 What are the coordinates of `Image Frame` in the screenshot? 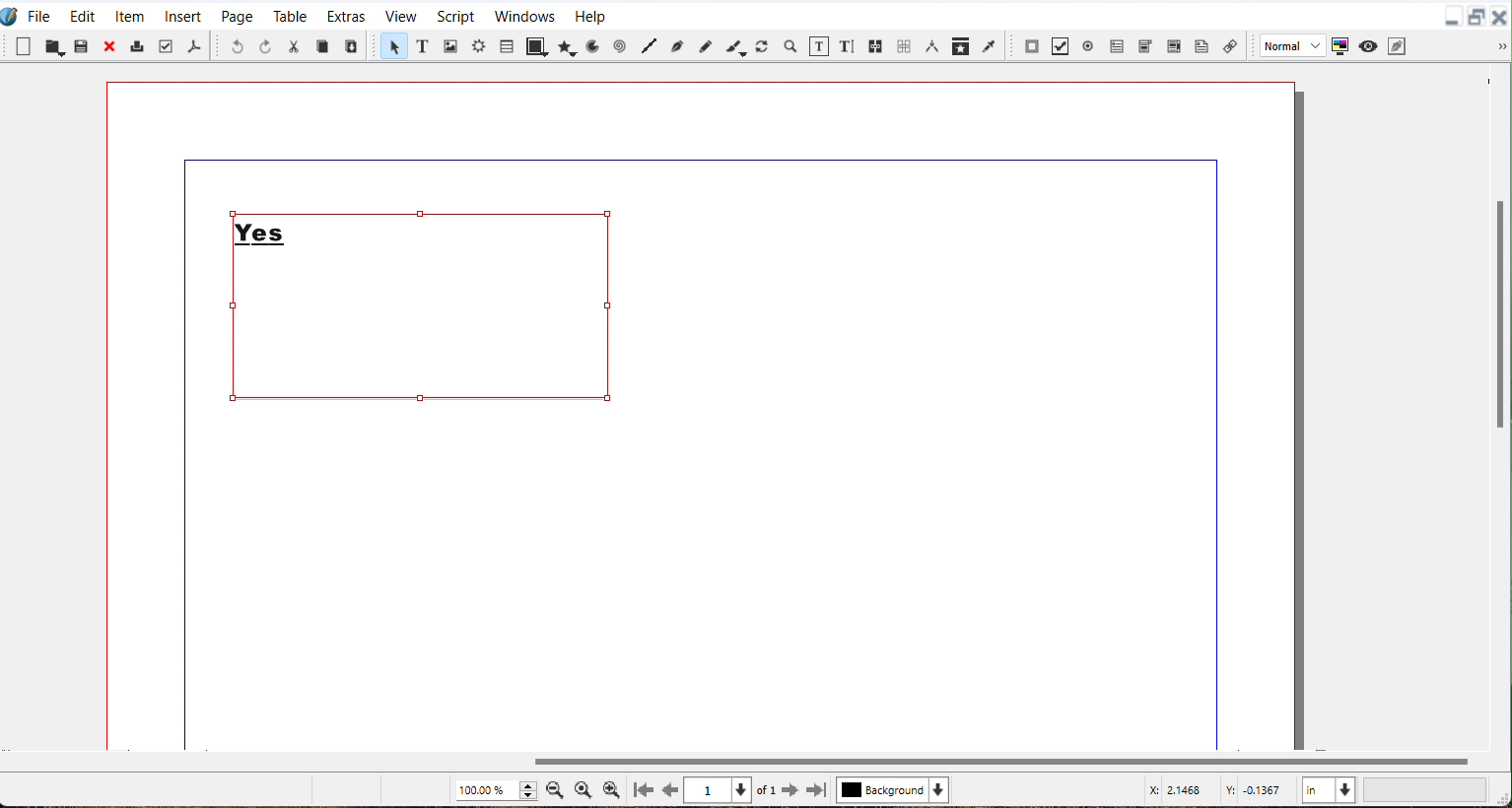 It's located at (449, 45).